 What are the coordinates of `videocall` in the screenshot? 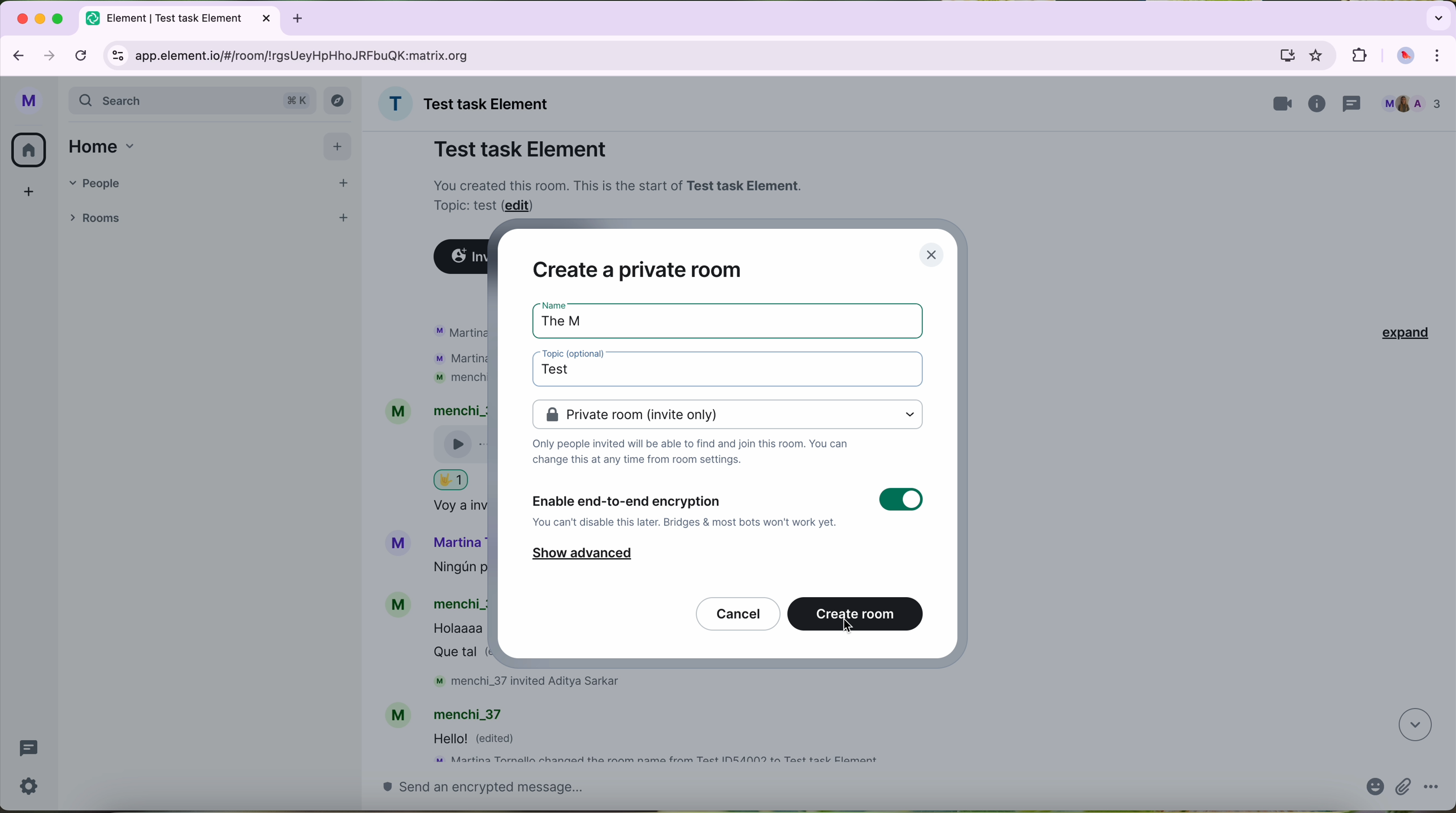 It's located at (1283, 104).